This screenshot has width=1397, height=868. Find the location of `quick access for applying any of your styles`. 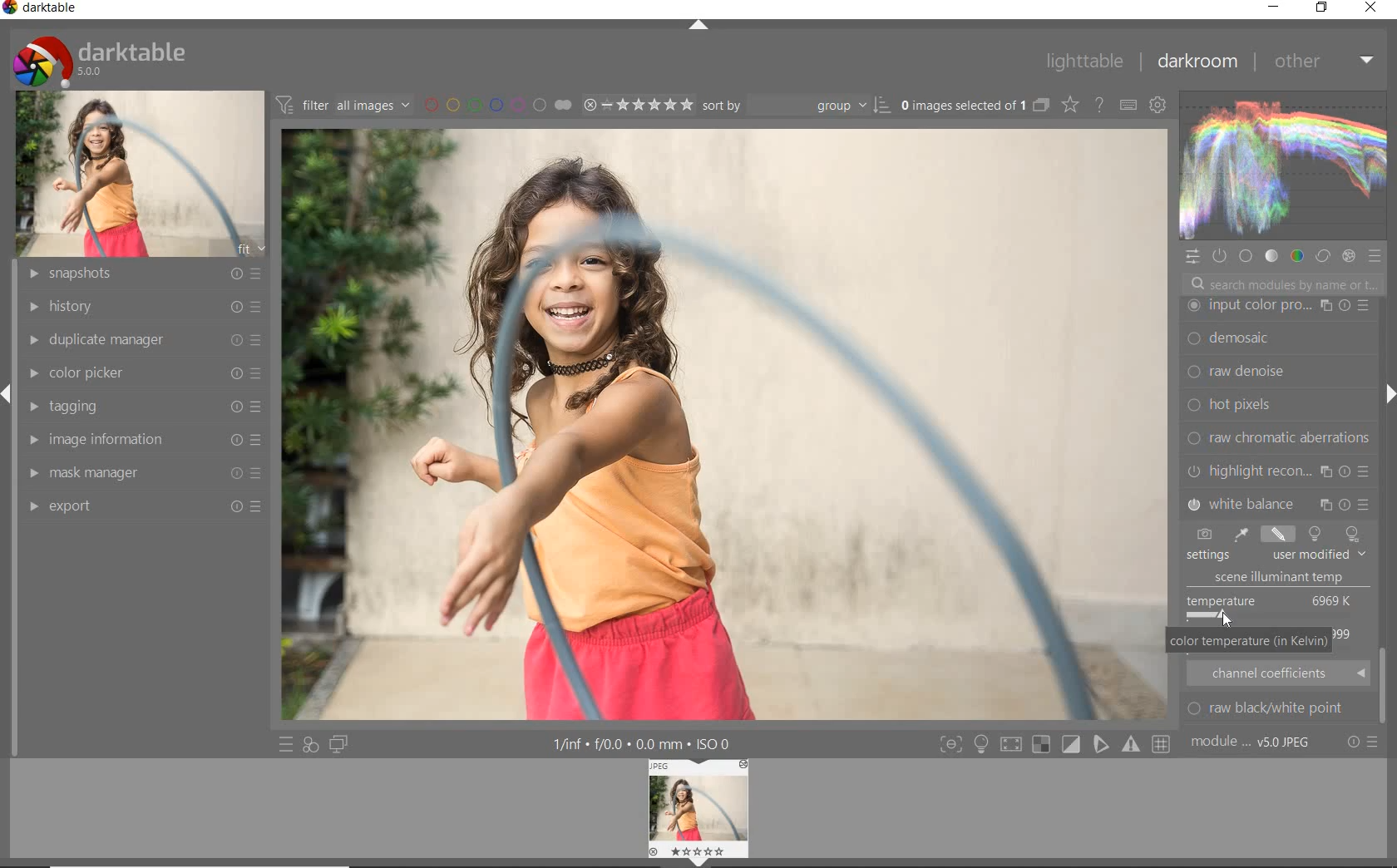

quick access for applying any of your styles is located at coordinates (310, 746).